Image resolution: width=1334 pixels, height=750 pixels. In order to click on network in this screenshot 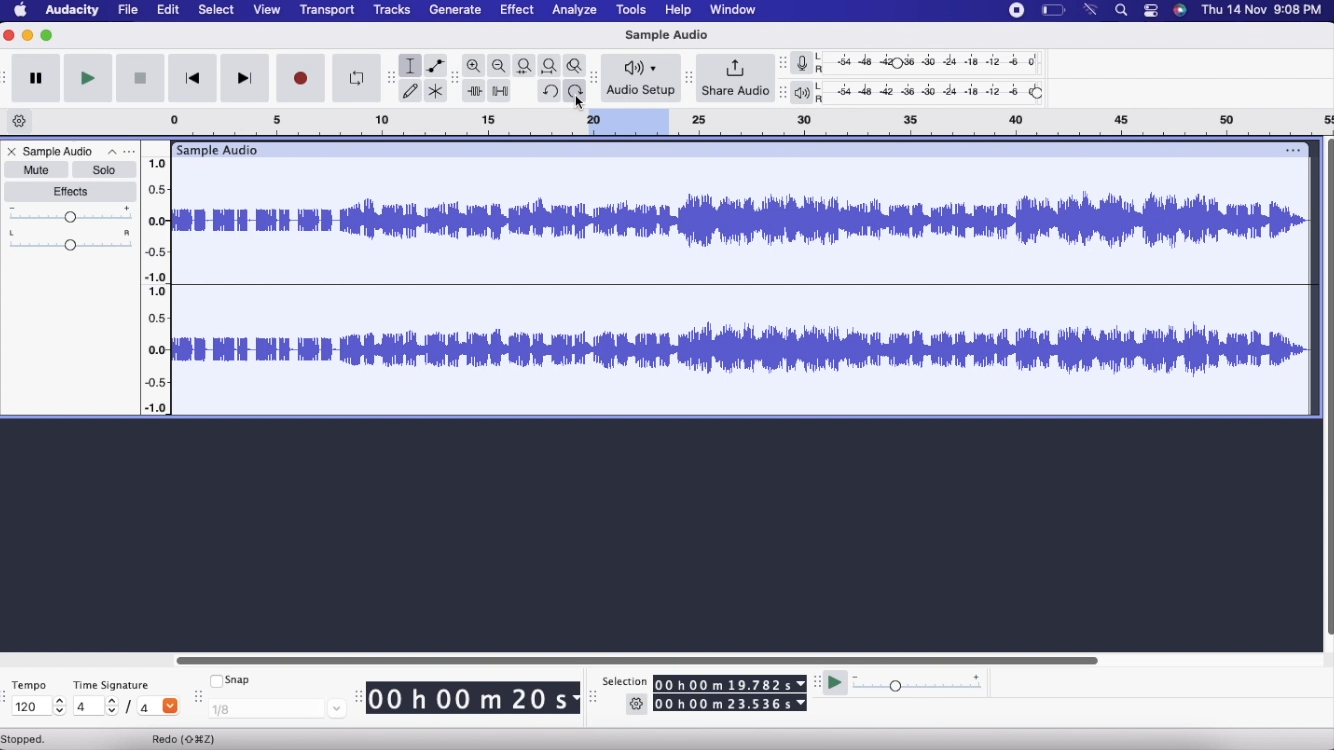, I will do `click(1092, 10)`.